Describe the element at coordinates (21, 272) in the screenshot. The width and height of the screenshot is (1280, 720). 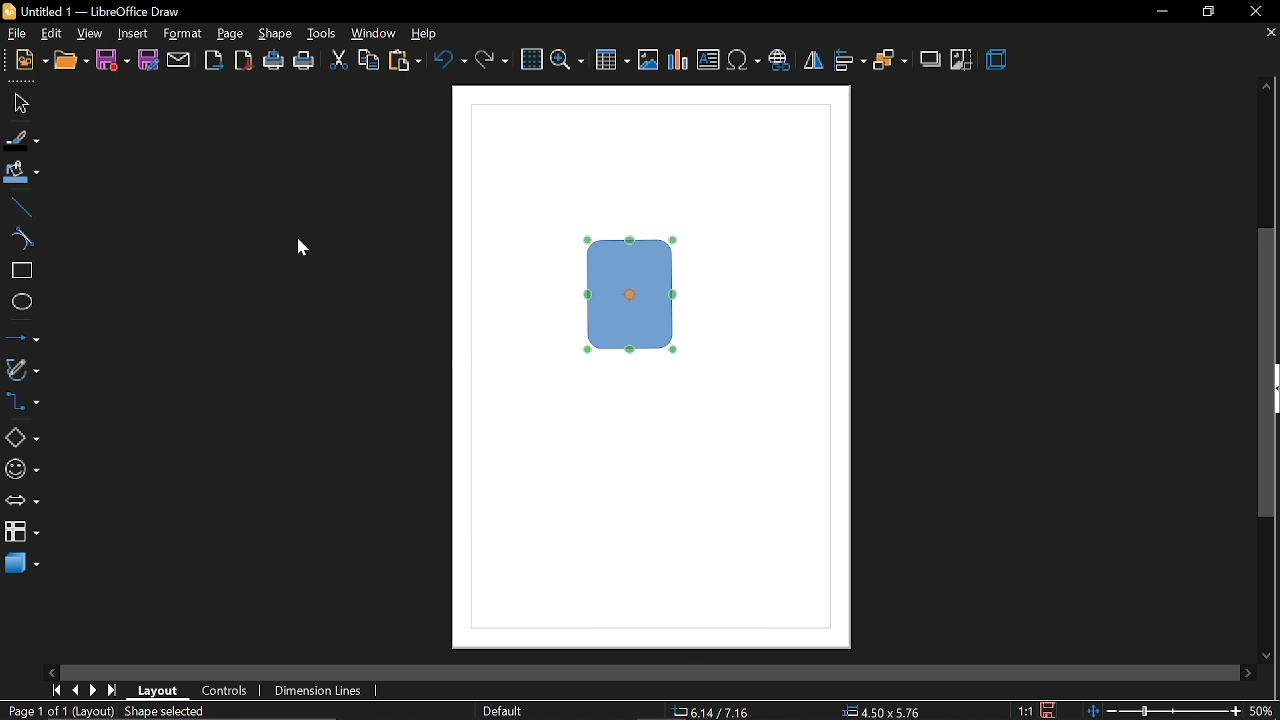
I see `rectangle` at that location.